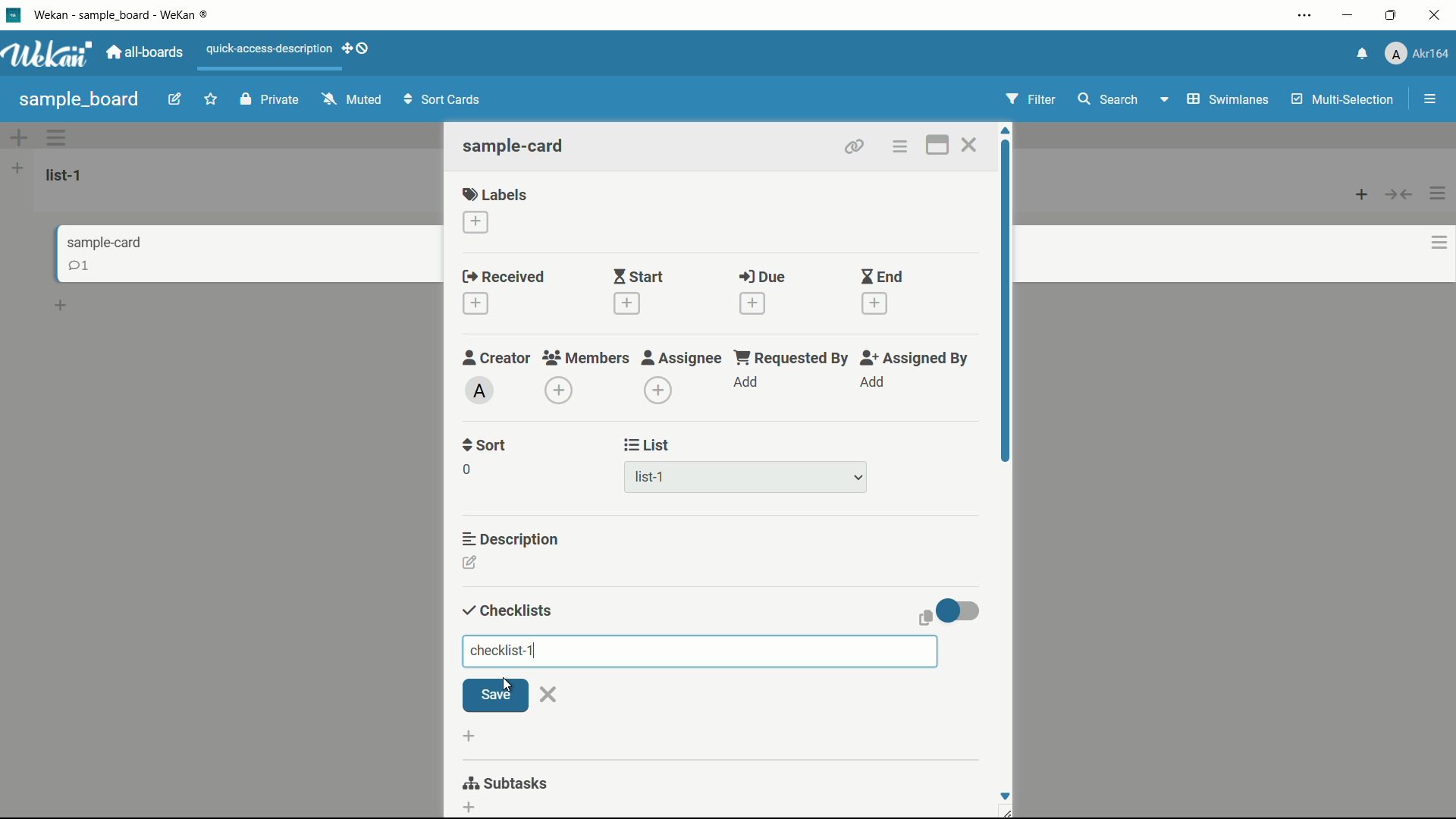 The width and height of the screenshot is (1456, 819). What do you see at coordinates (343, 48) in the screenshot?
I see `add` at bounding box center [343, 48].